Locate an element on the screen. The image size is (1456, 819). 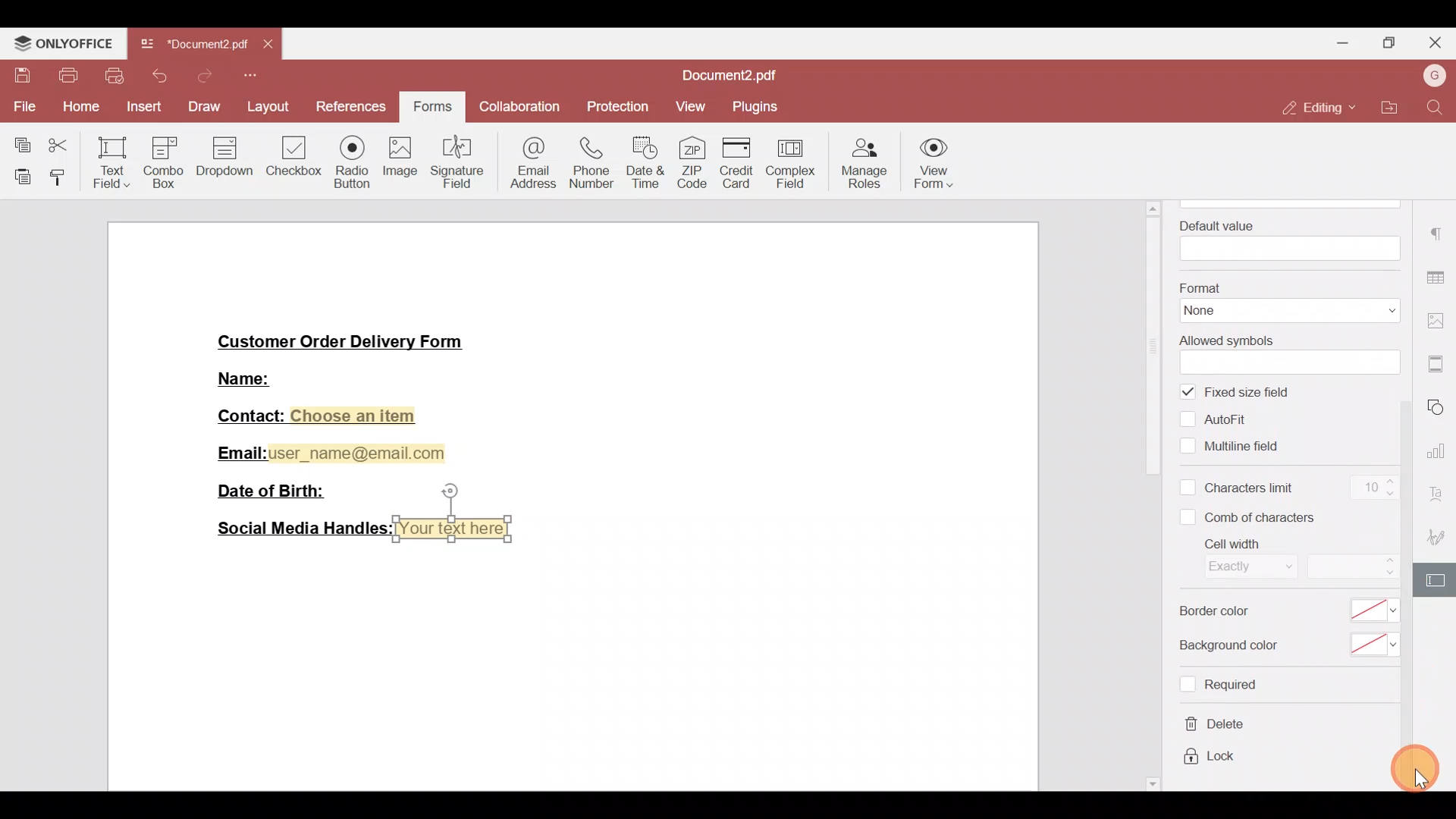
Home is located at coordinates (79, 108).